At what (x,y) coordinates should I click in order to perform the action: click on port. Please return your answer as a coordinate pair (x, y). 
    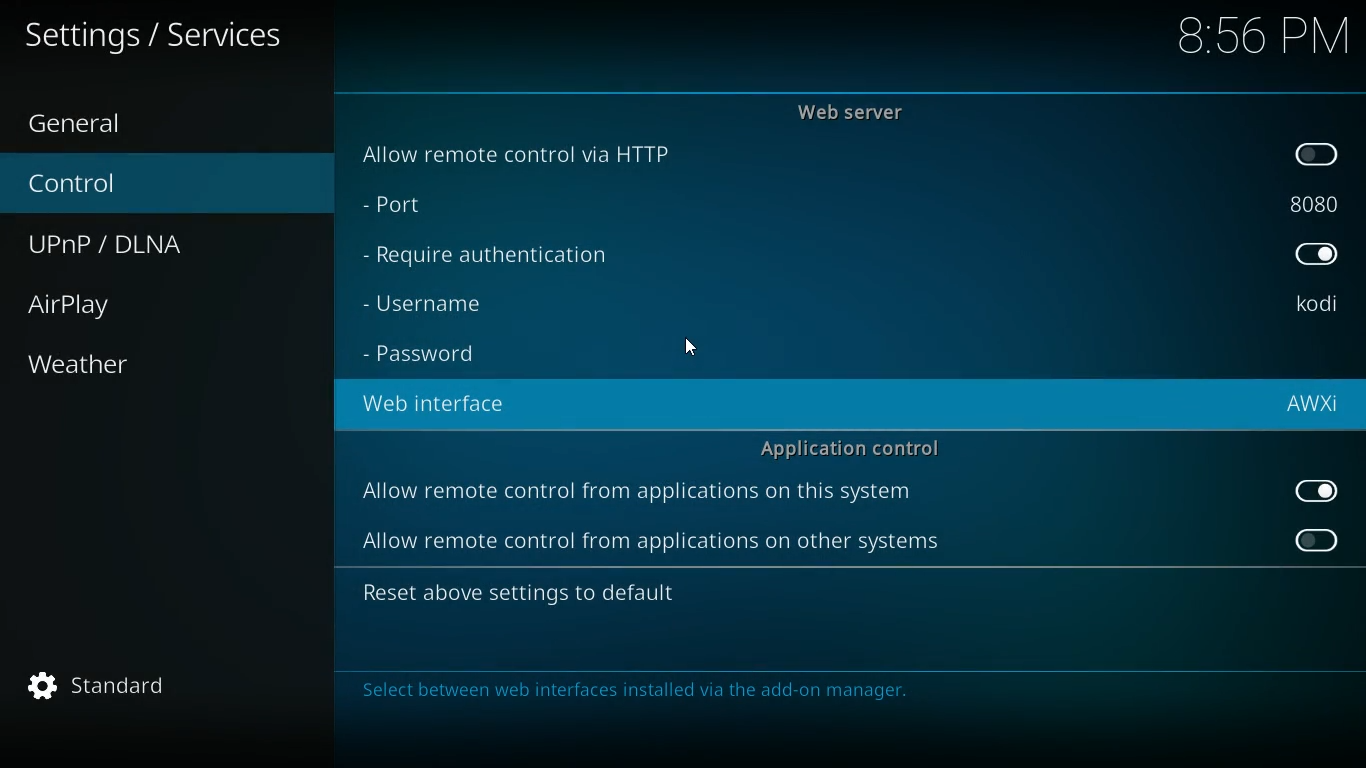
    Looking at the image, I should click on (424, 207).